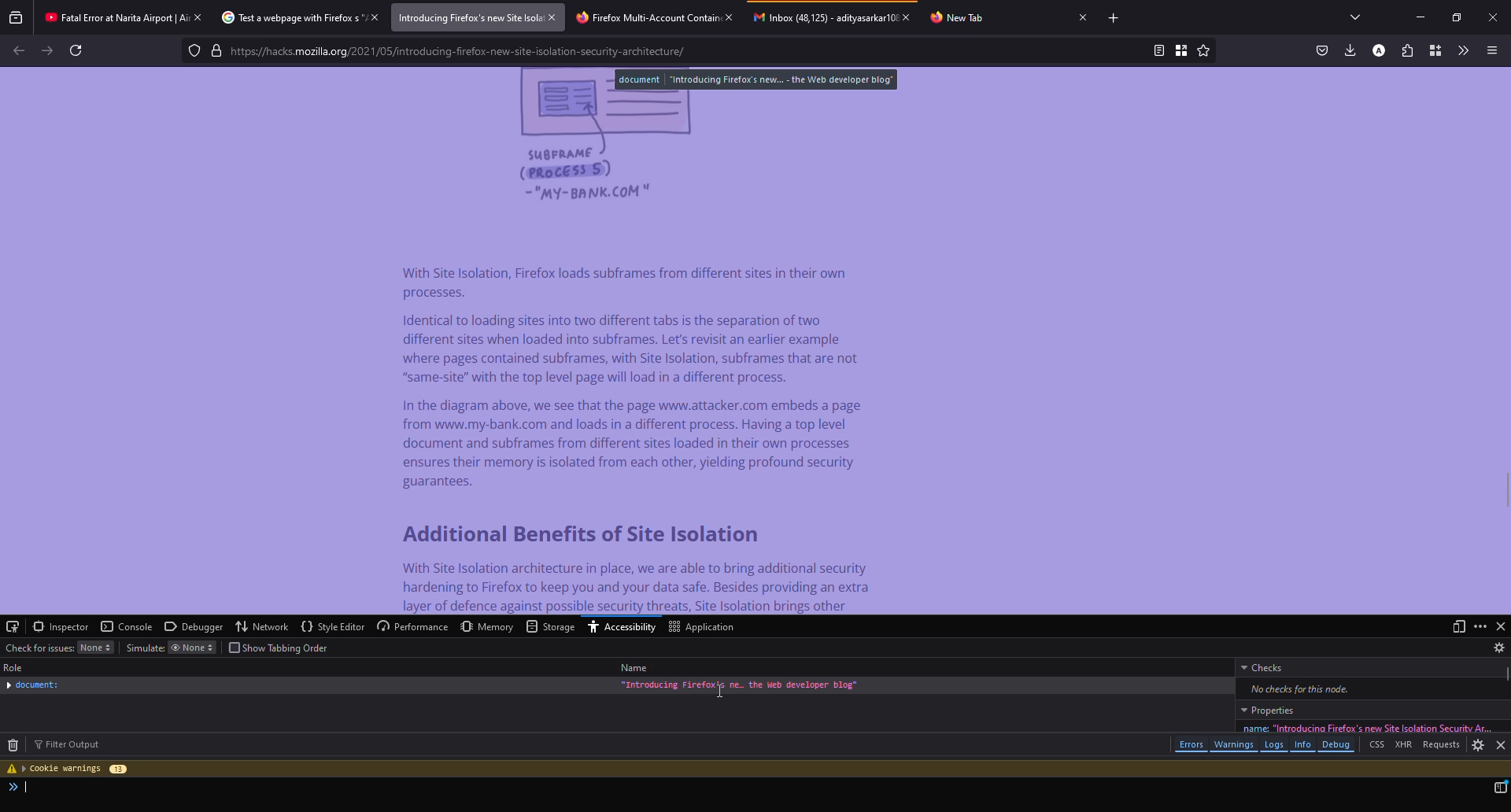  Describe the element at coordinates (1377, 50) in the screenshot. I see `profile` at that location.